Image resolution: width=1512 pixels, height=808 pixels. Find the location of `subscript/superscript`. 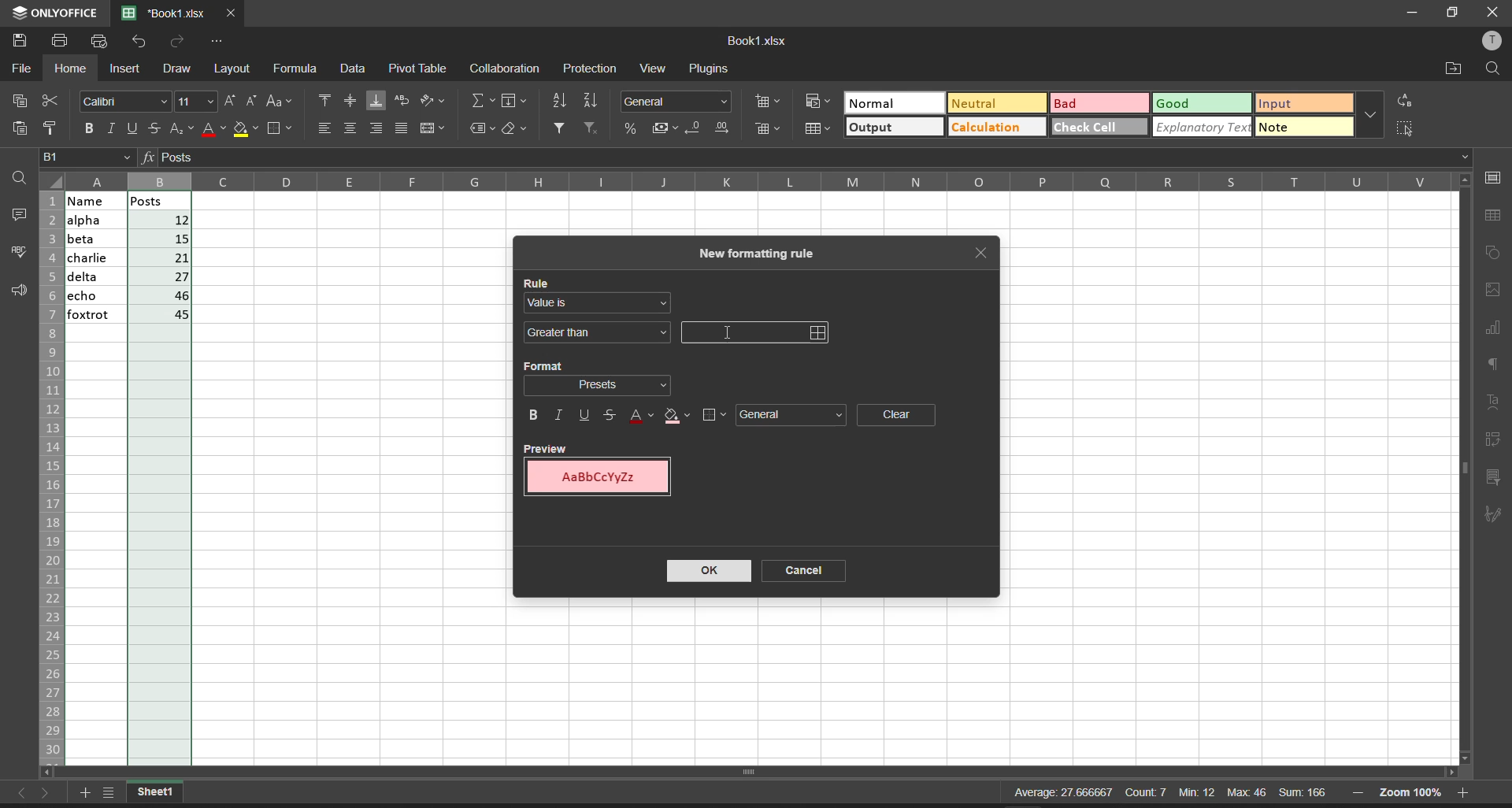

subscript/superscript is located at coordinates (182, 129).